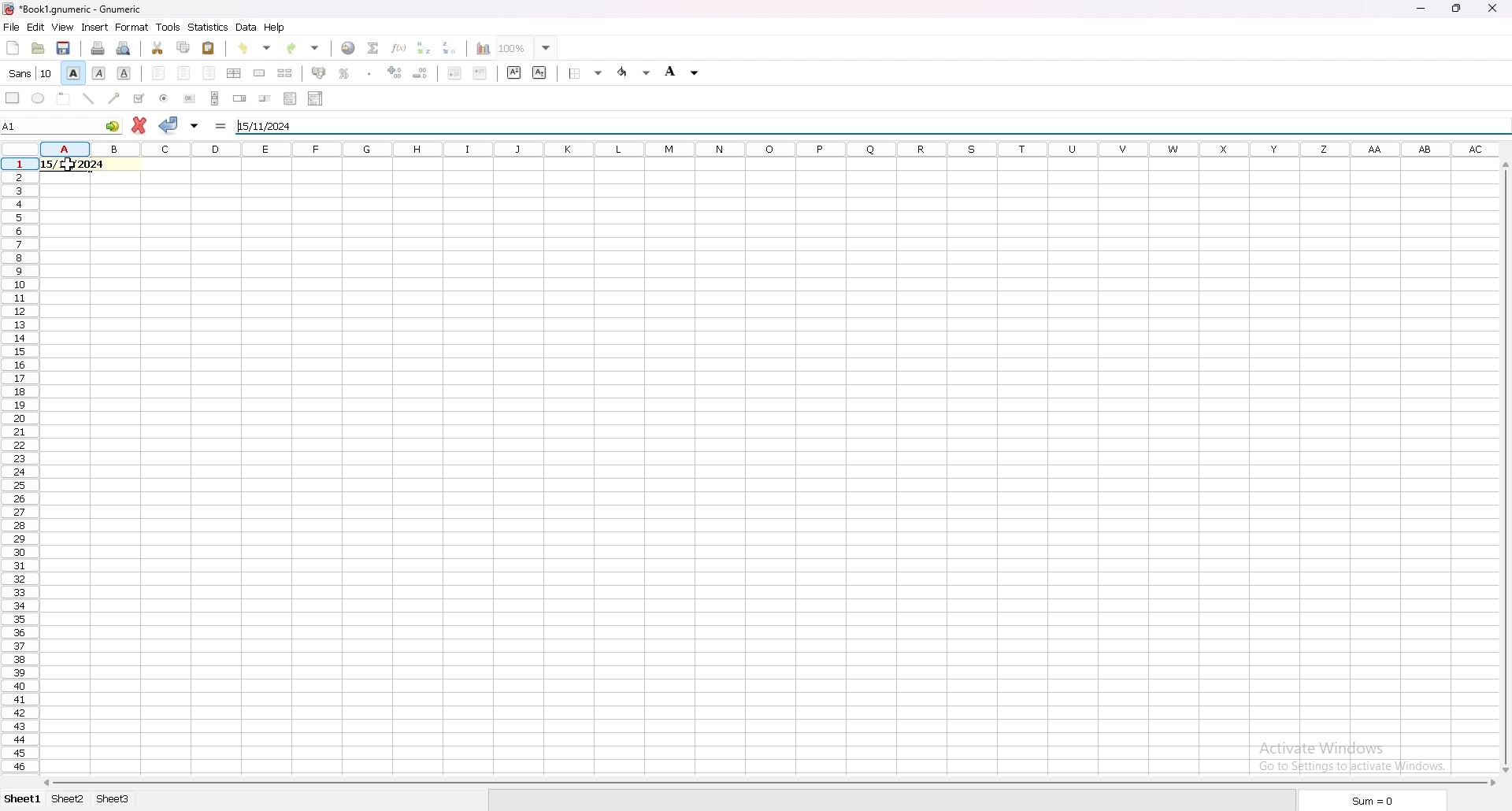 The image size is (1512, 811). Describe the element at coordinates (220, 125) in the screenshot. I see `formula` at that location.